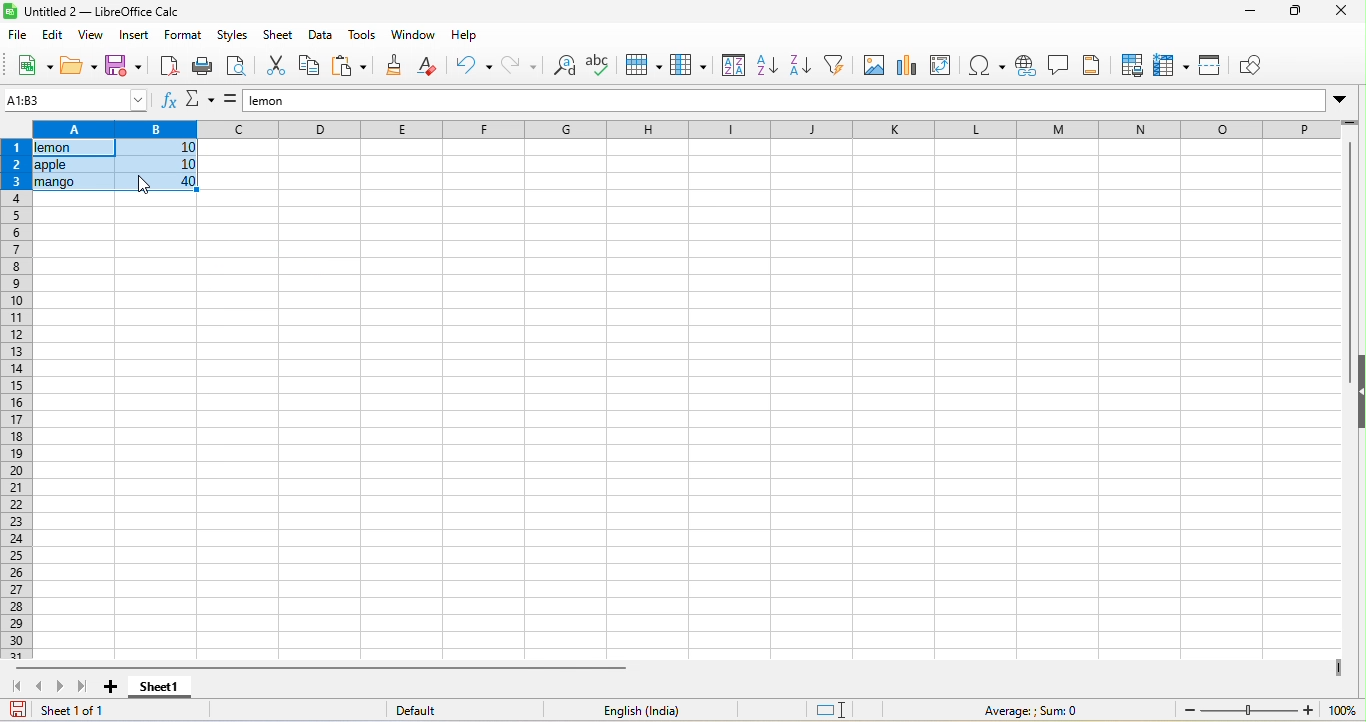 This screenshot has height=722, width=1366. Describe the element at coordinates (428, 68) in the screenshot. I see `clear direct formatting` at that location.